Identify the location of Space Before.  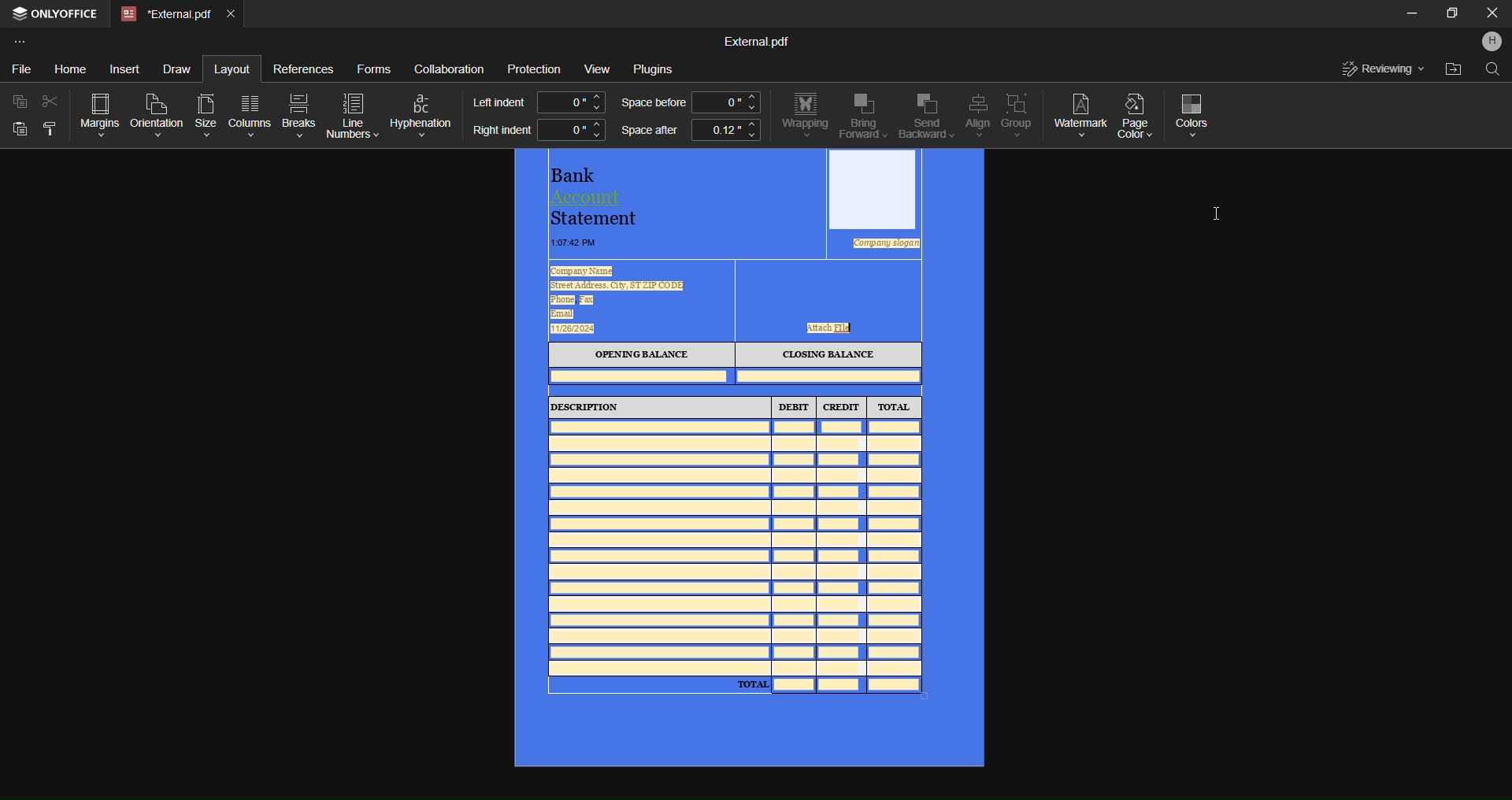
(652, 103).